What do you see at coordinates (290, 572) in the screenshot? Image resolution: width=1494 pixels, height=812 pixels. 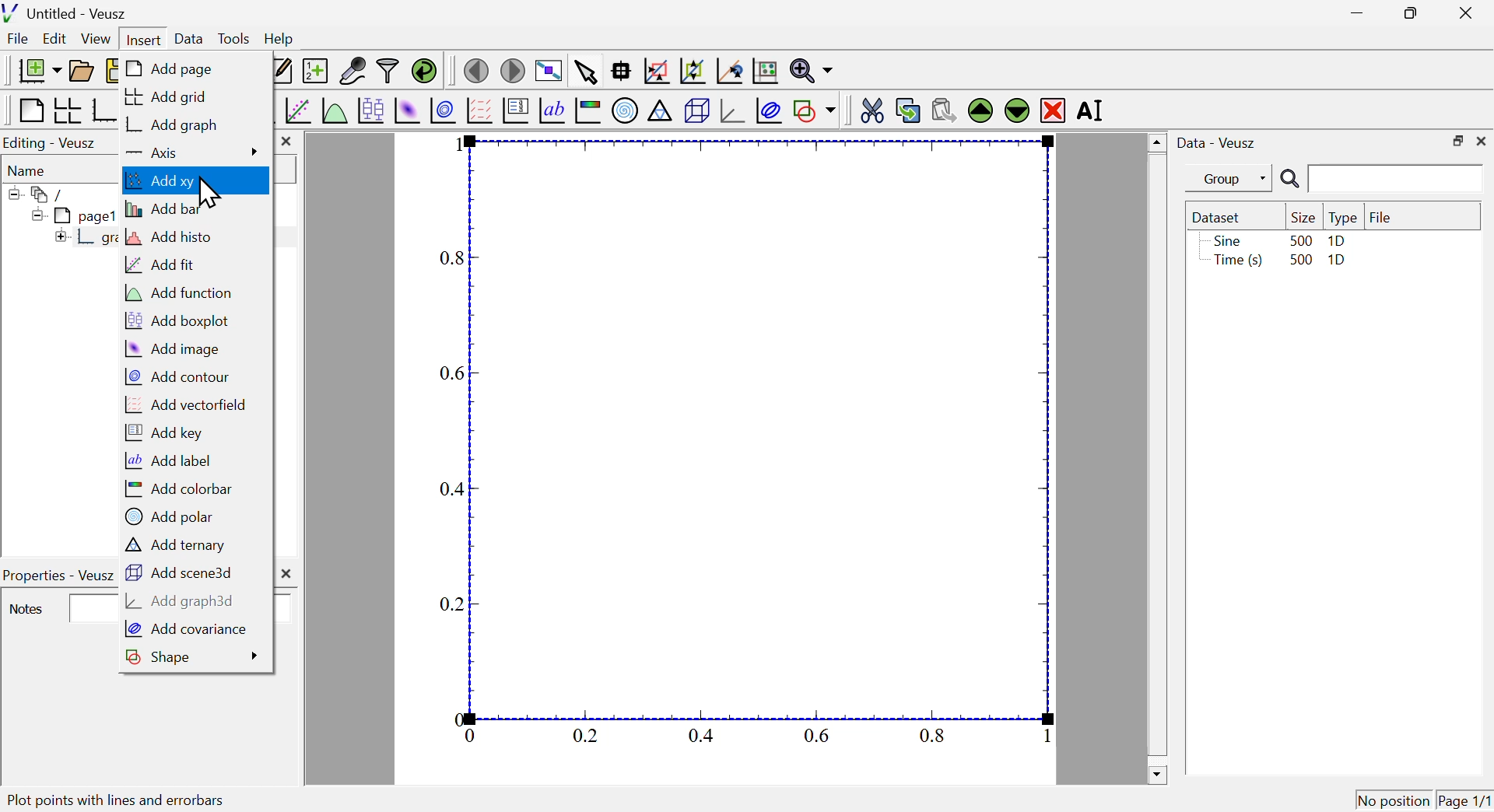 I see `close` at bounding box center [290, 572].